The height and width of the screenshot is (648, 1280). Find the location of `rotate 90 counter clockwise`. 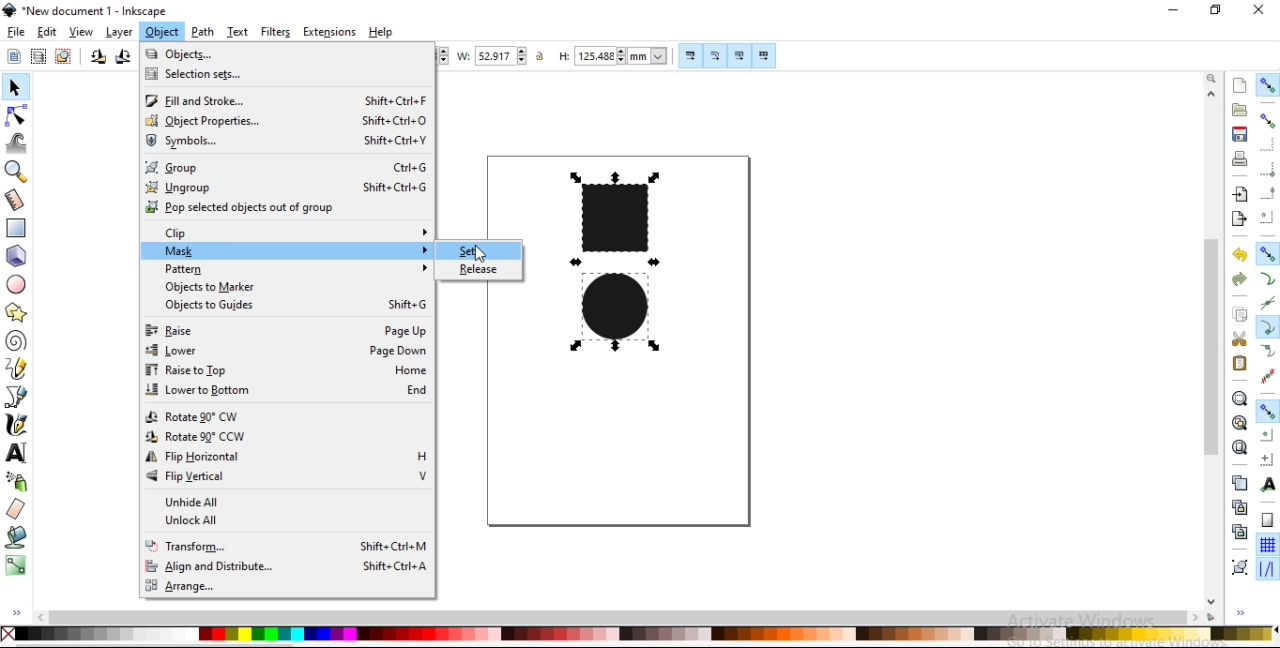

rotate 90 counter clockwise is located at coordinates (98, 59).